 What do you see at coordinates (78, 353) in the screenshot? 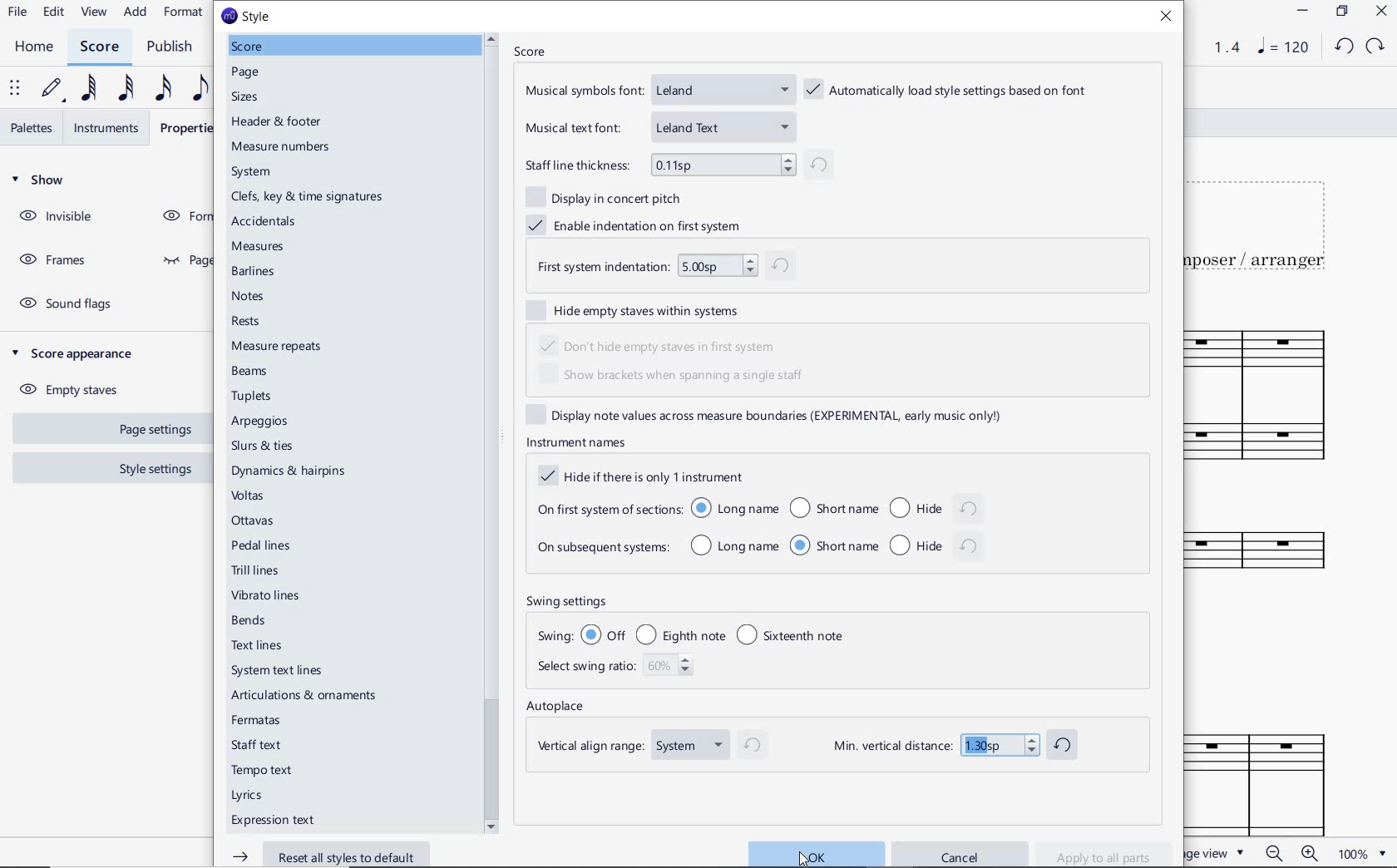
I see `SCORE APPEARANCE` at bounding box center [78, 353].